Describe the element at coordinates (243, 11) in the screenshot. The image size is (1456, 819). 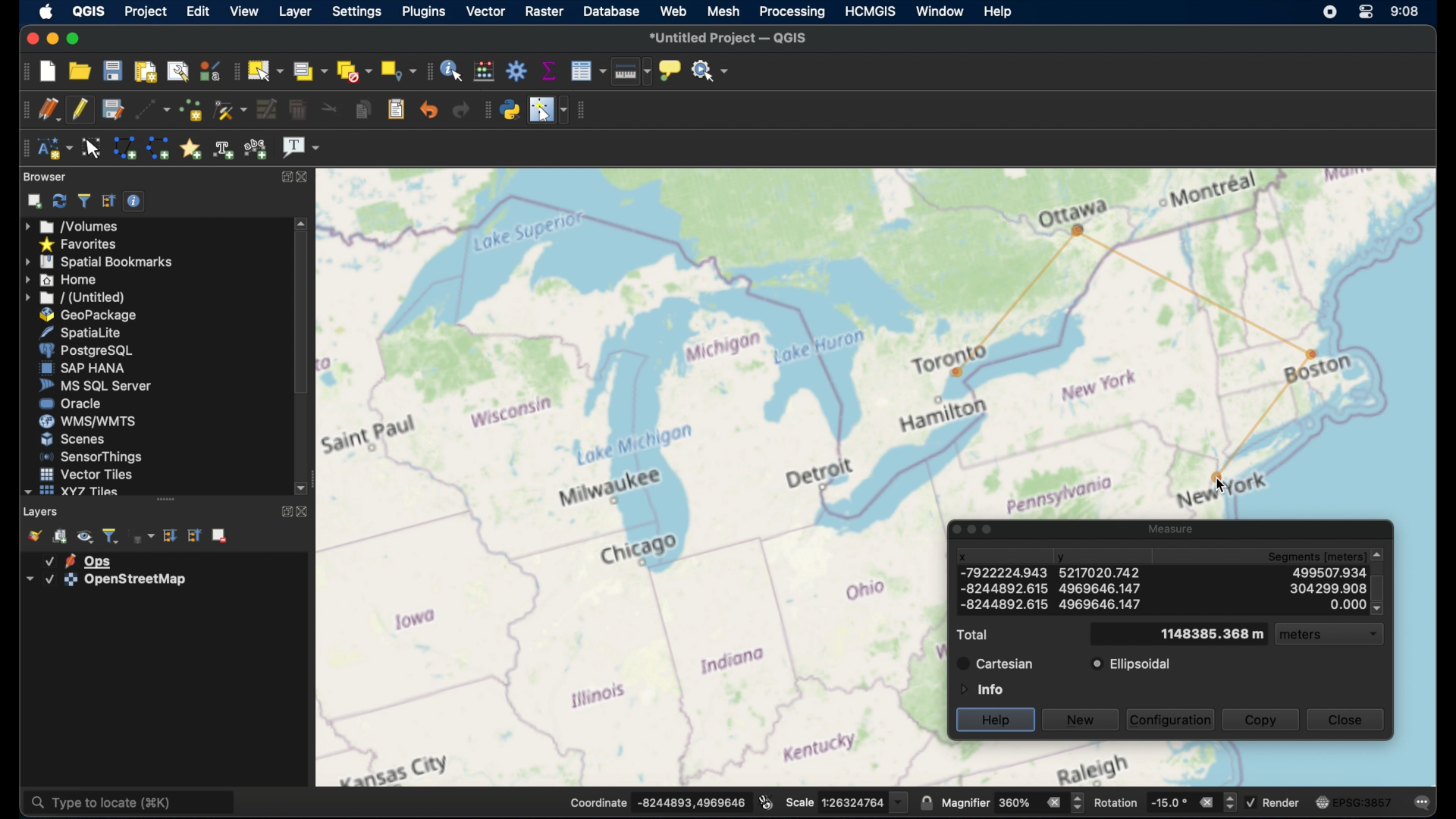
I see `view` at that location.